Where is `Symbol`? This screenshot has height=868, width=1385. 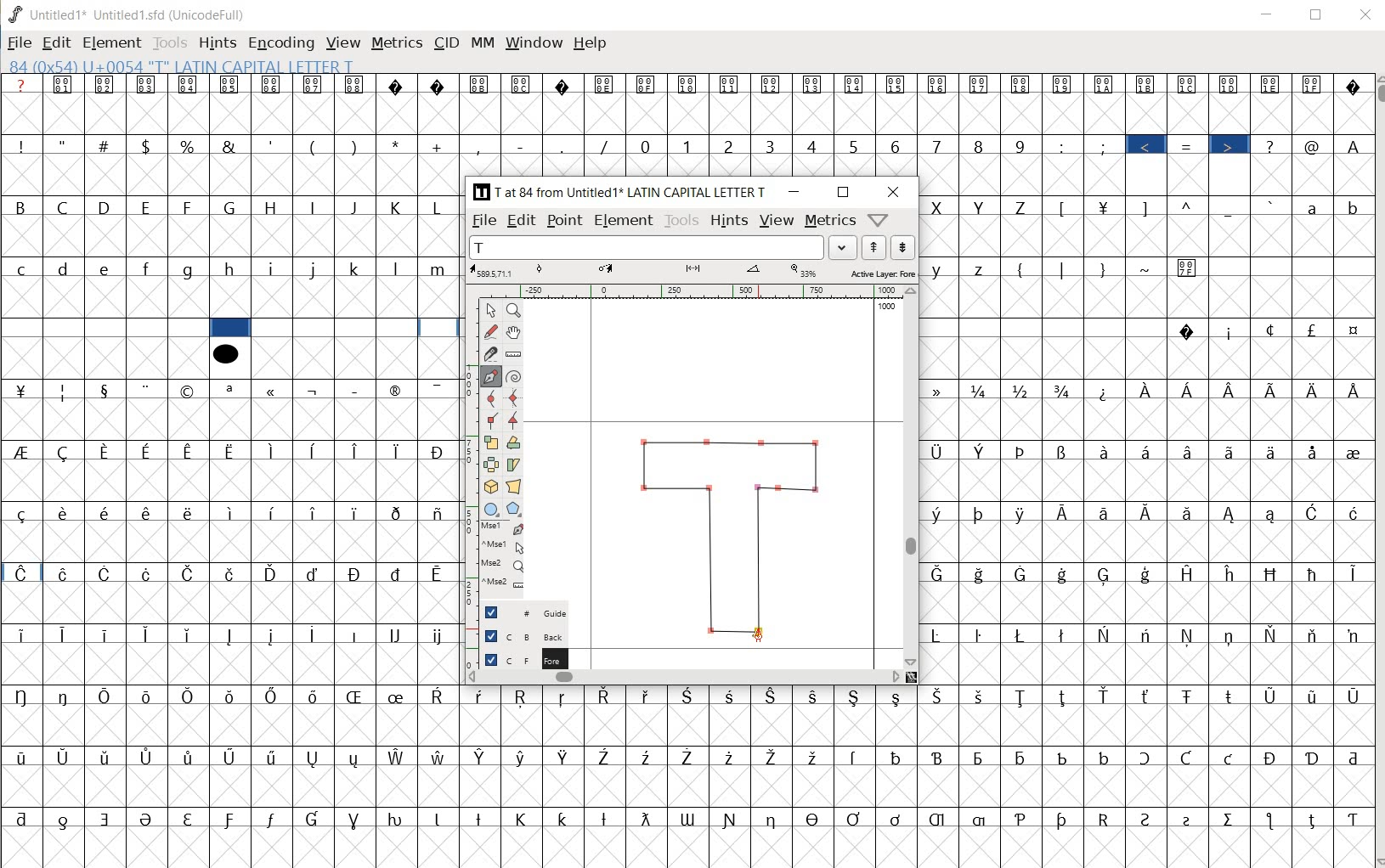 Symbol is located at coordinates (22, 819).